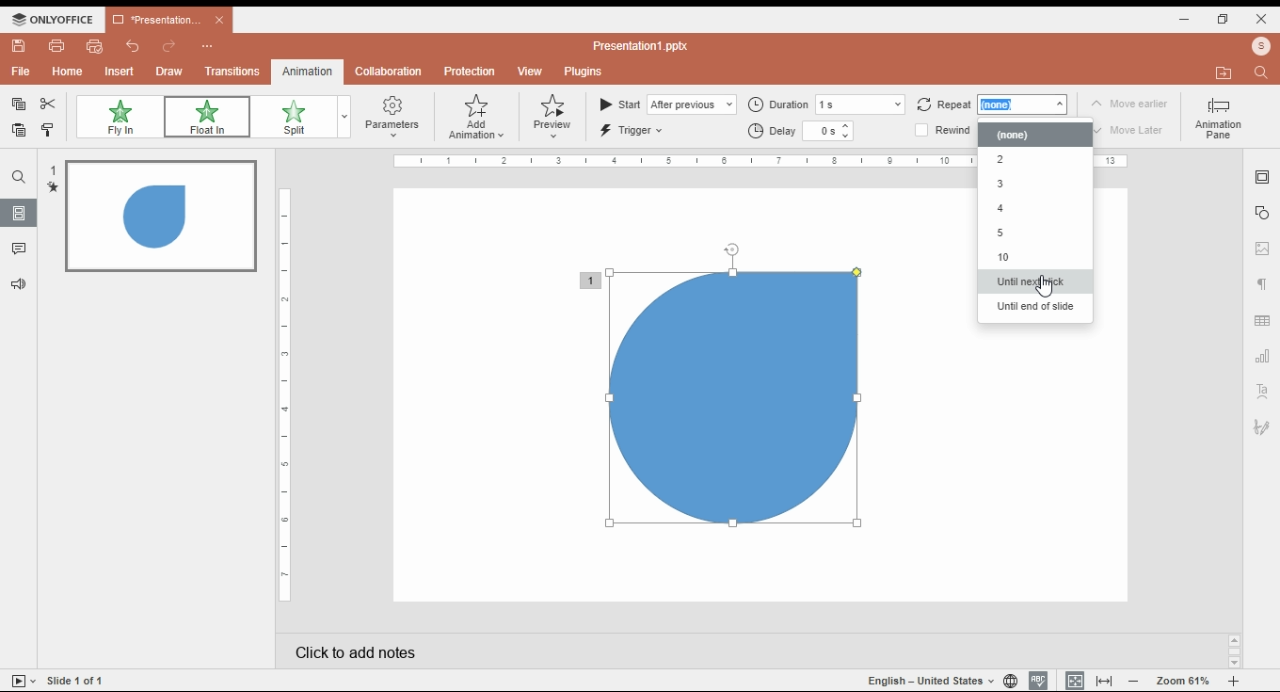  I want to click on file, so click(20, 72).